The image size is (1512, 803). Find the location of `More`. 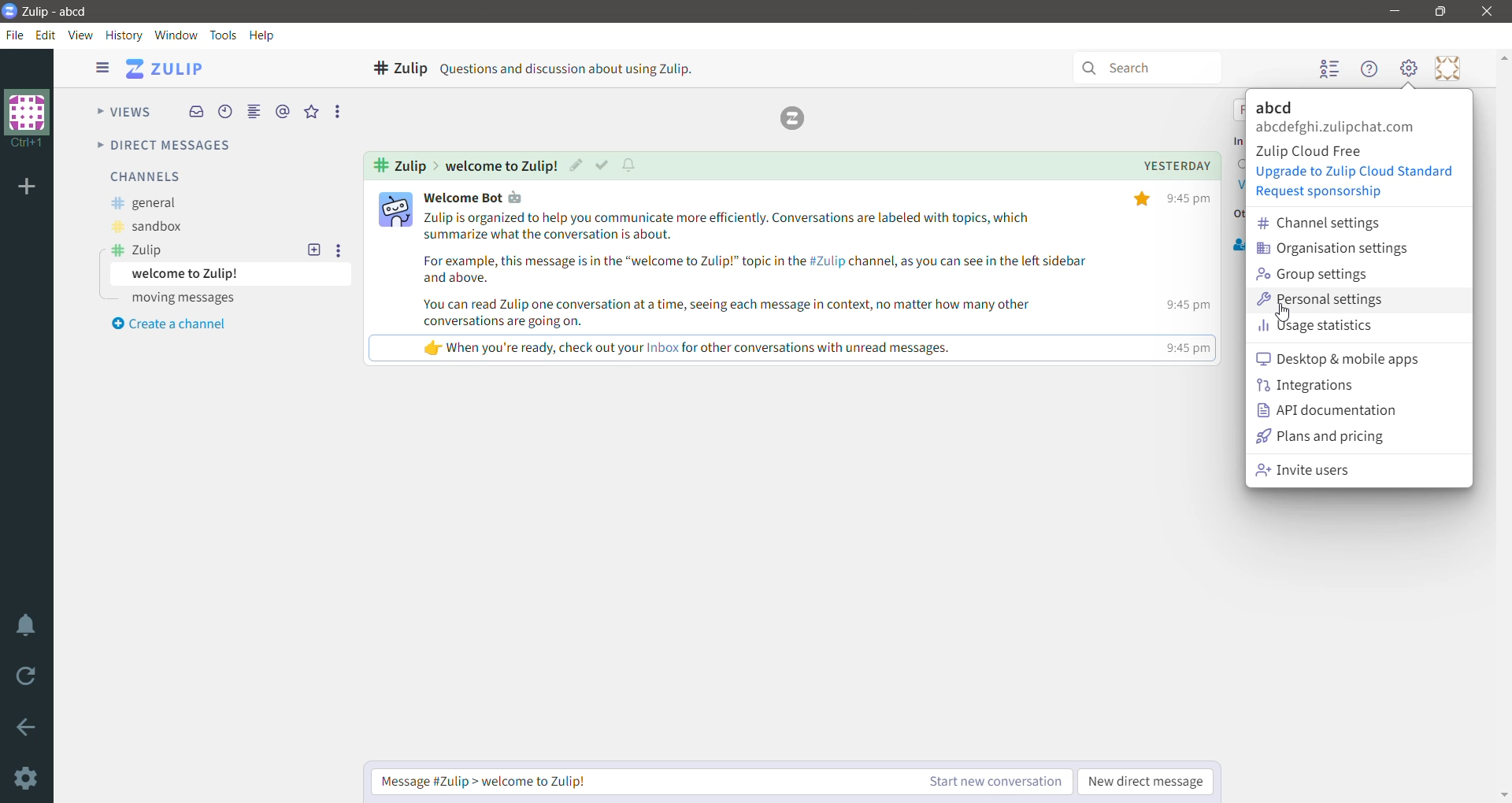

More is located at coordinates (341, 112).